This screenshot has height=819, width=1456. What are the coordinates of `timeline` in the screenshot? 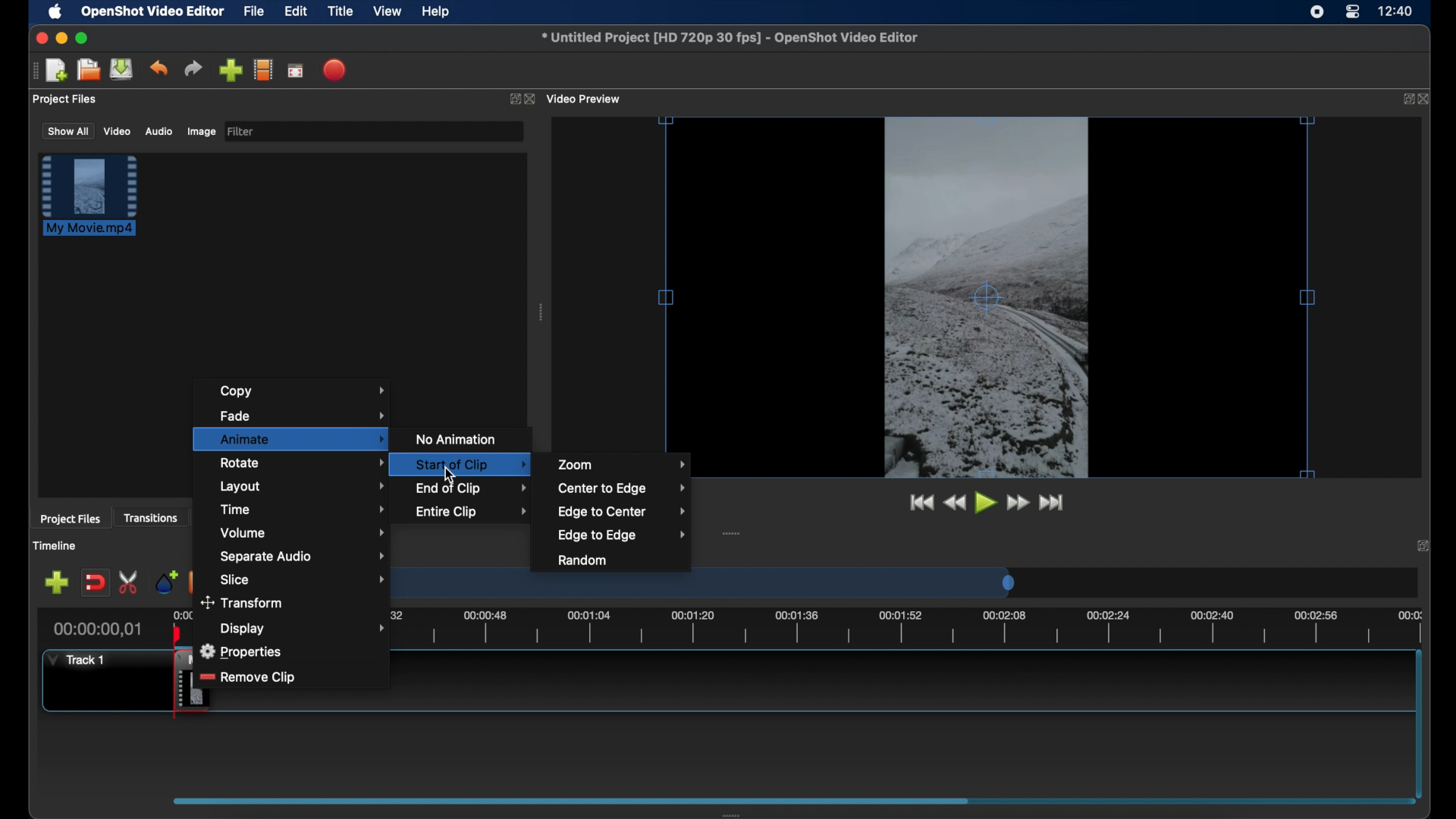 It's located at (57, 547).